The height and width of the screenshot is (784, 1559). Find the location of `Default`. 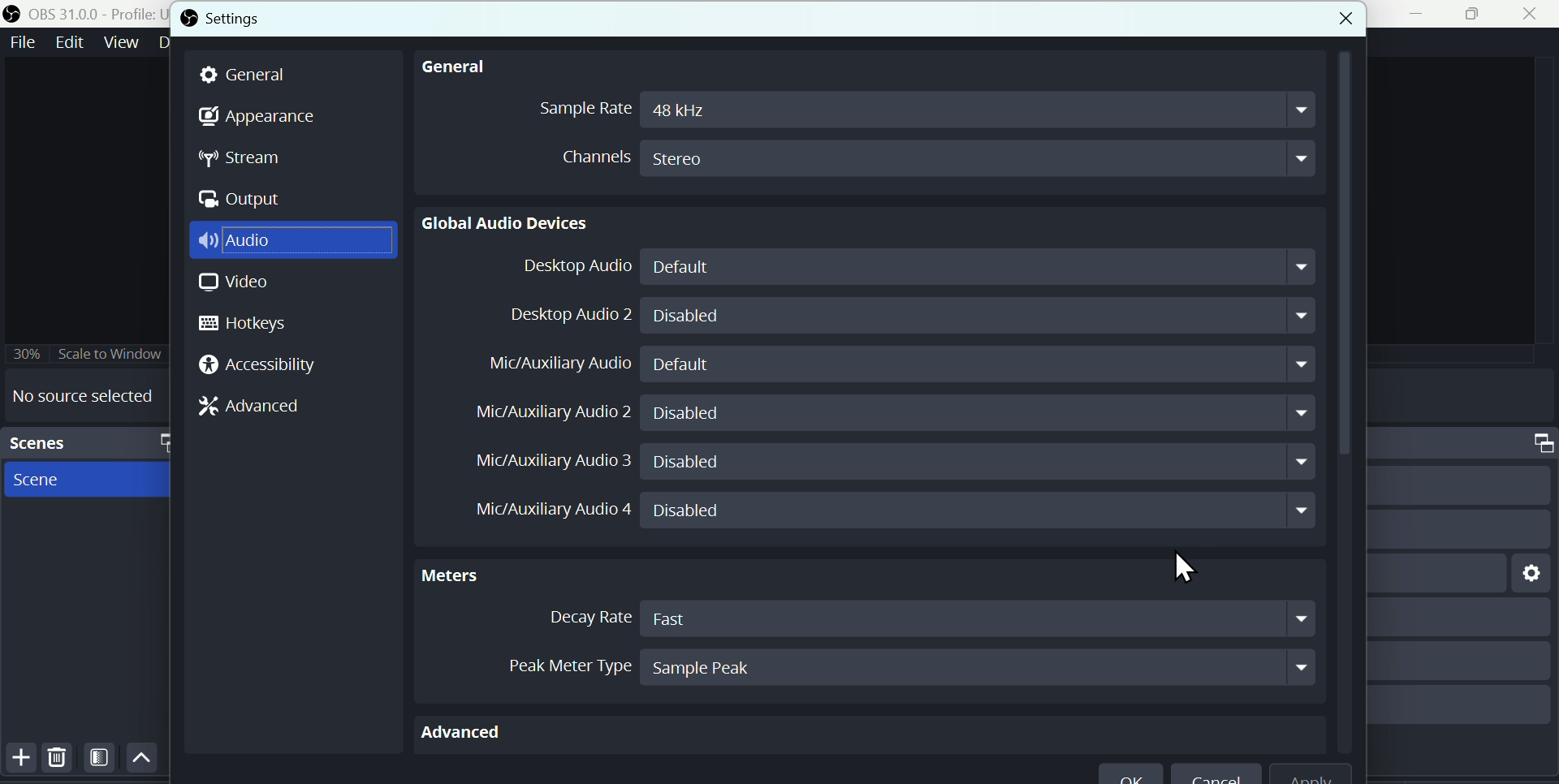

Default is located at coordinates (980, 364).